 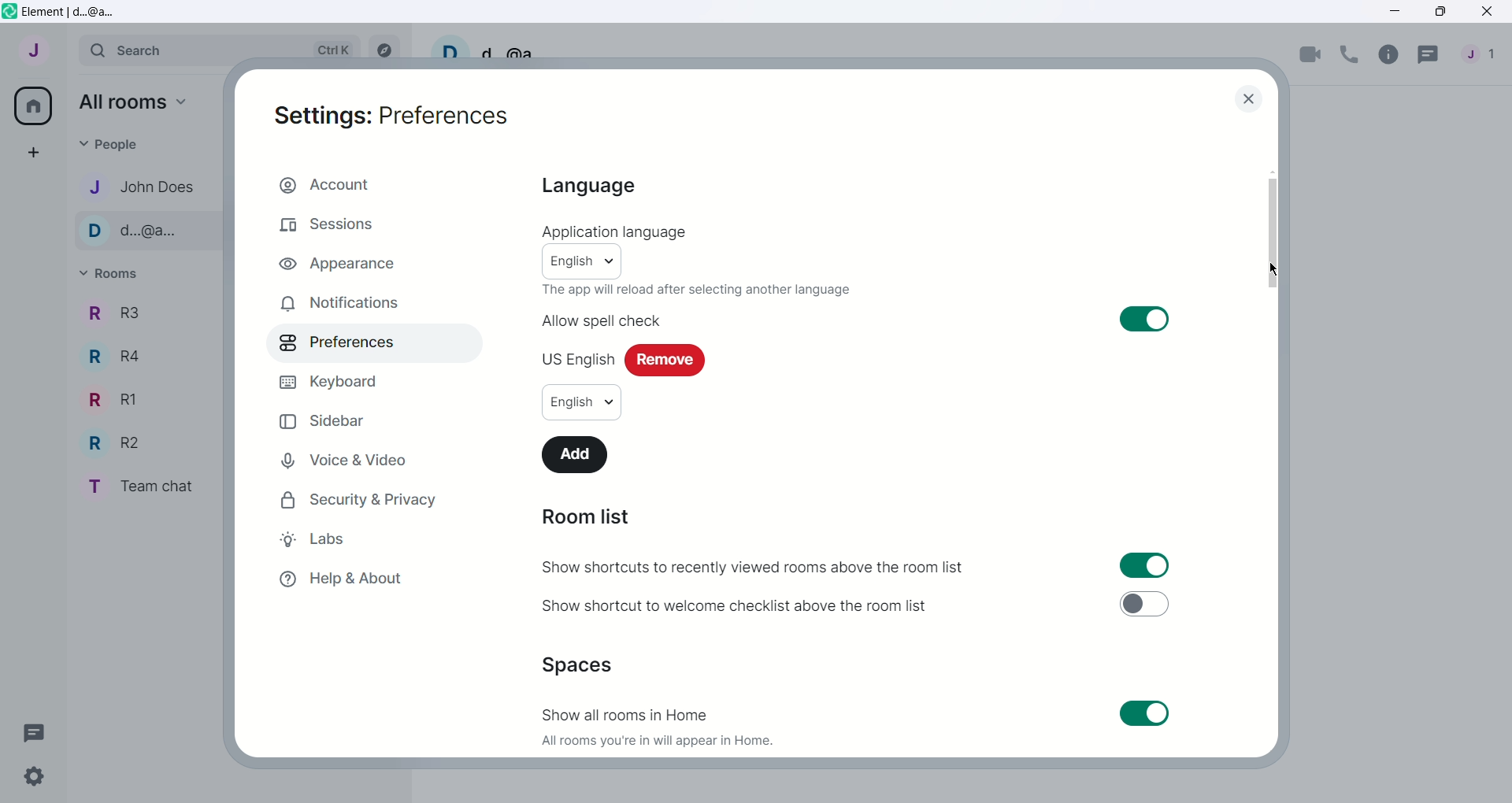 I want to click on US English, so click(x=579, y=360).